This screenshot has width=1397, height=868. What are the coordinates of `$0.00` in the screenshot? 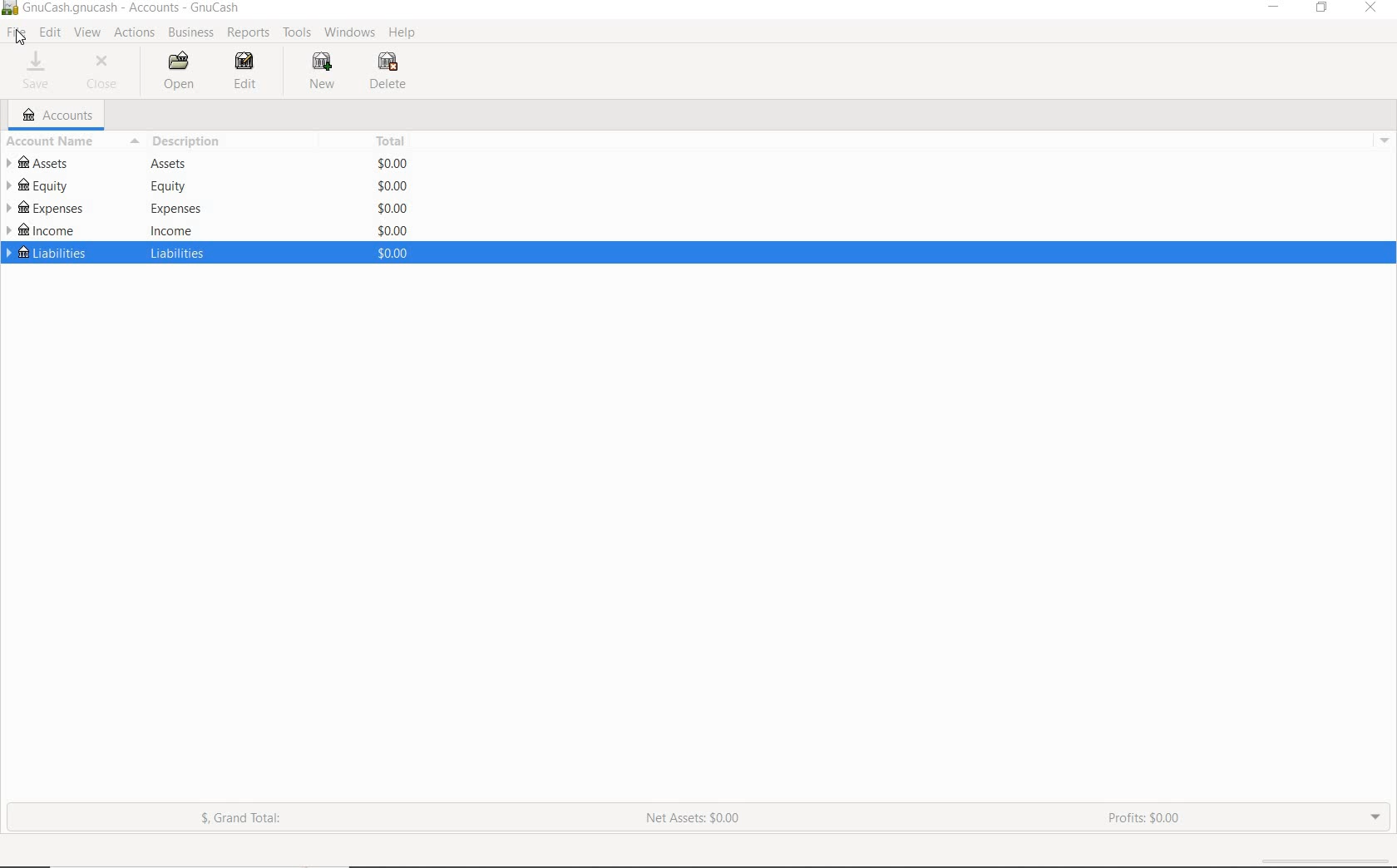 It's located at (393, 207).